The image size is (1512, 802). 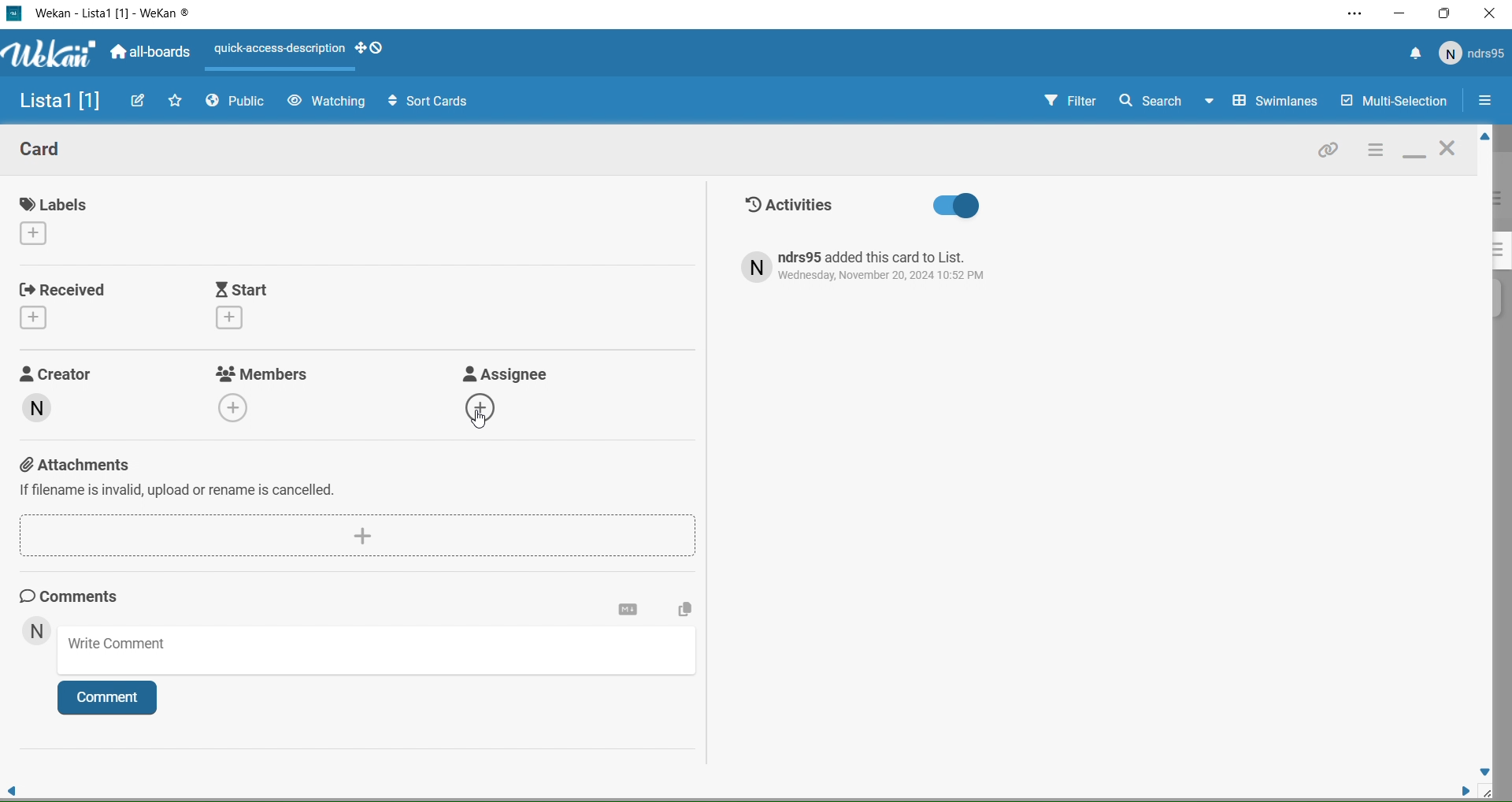 I want to click on Box, so click(x=1446, y=13).